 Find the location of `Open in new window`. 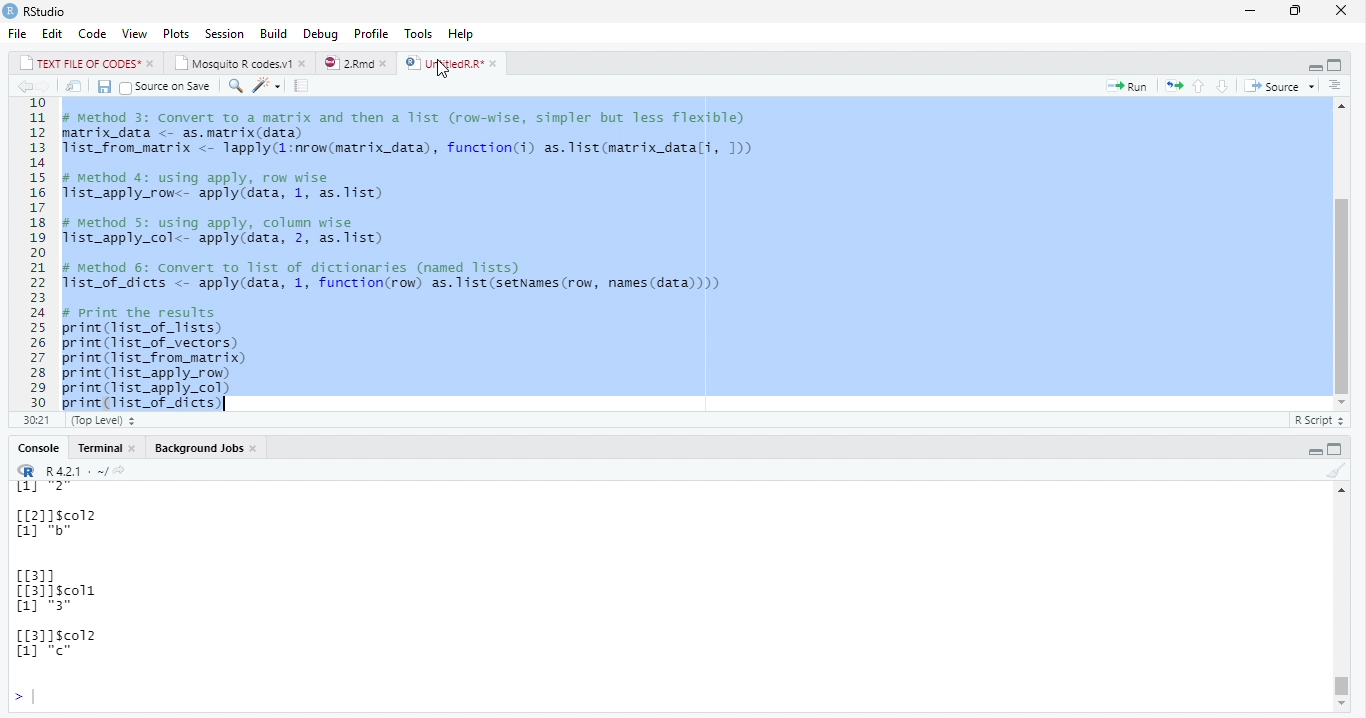

Open in new window is located at coordinates (74, 86).